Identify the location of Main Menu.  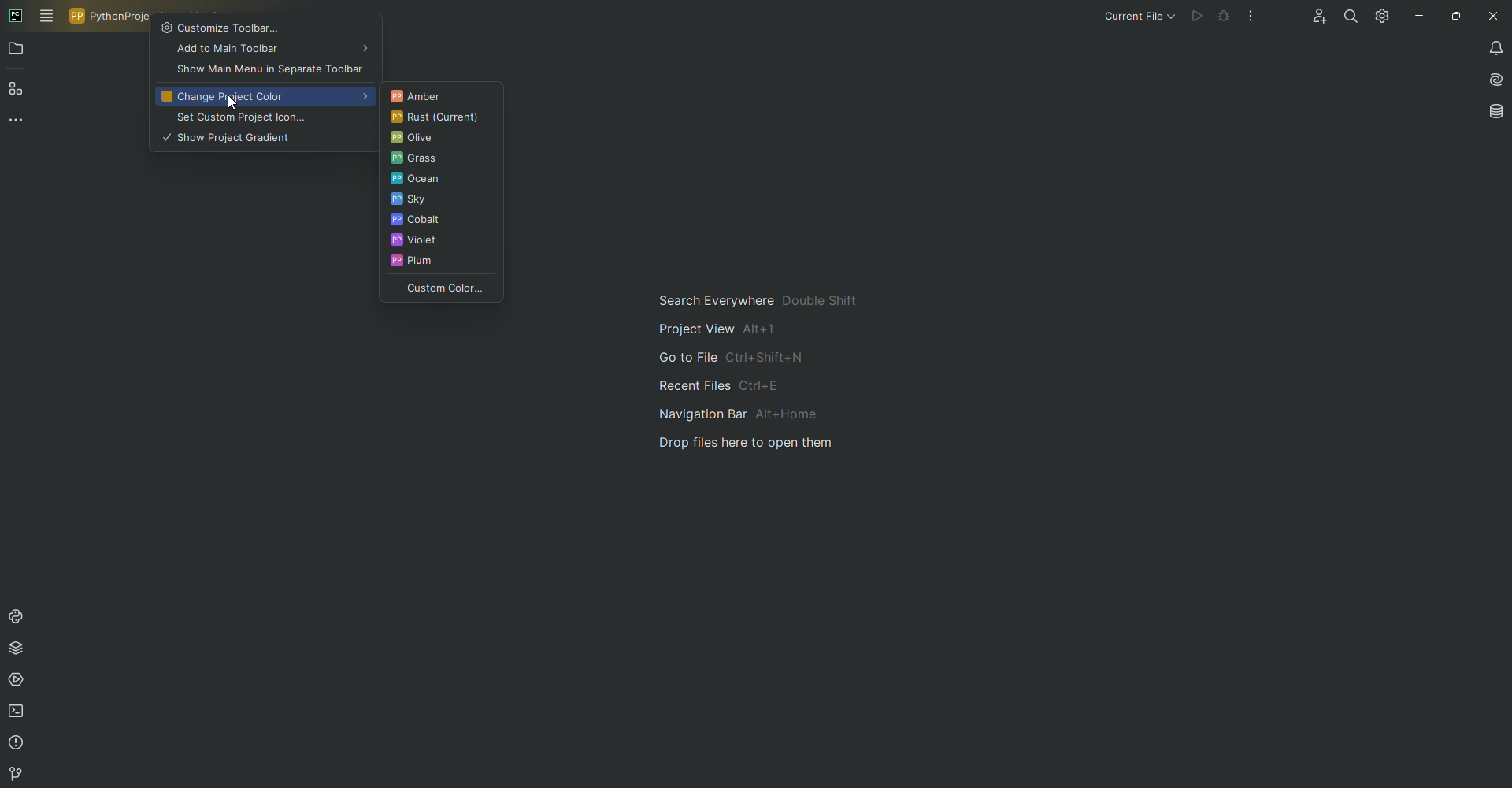
(47, 17).